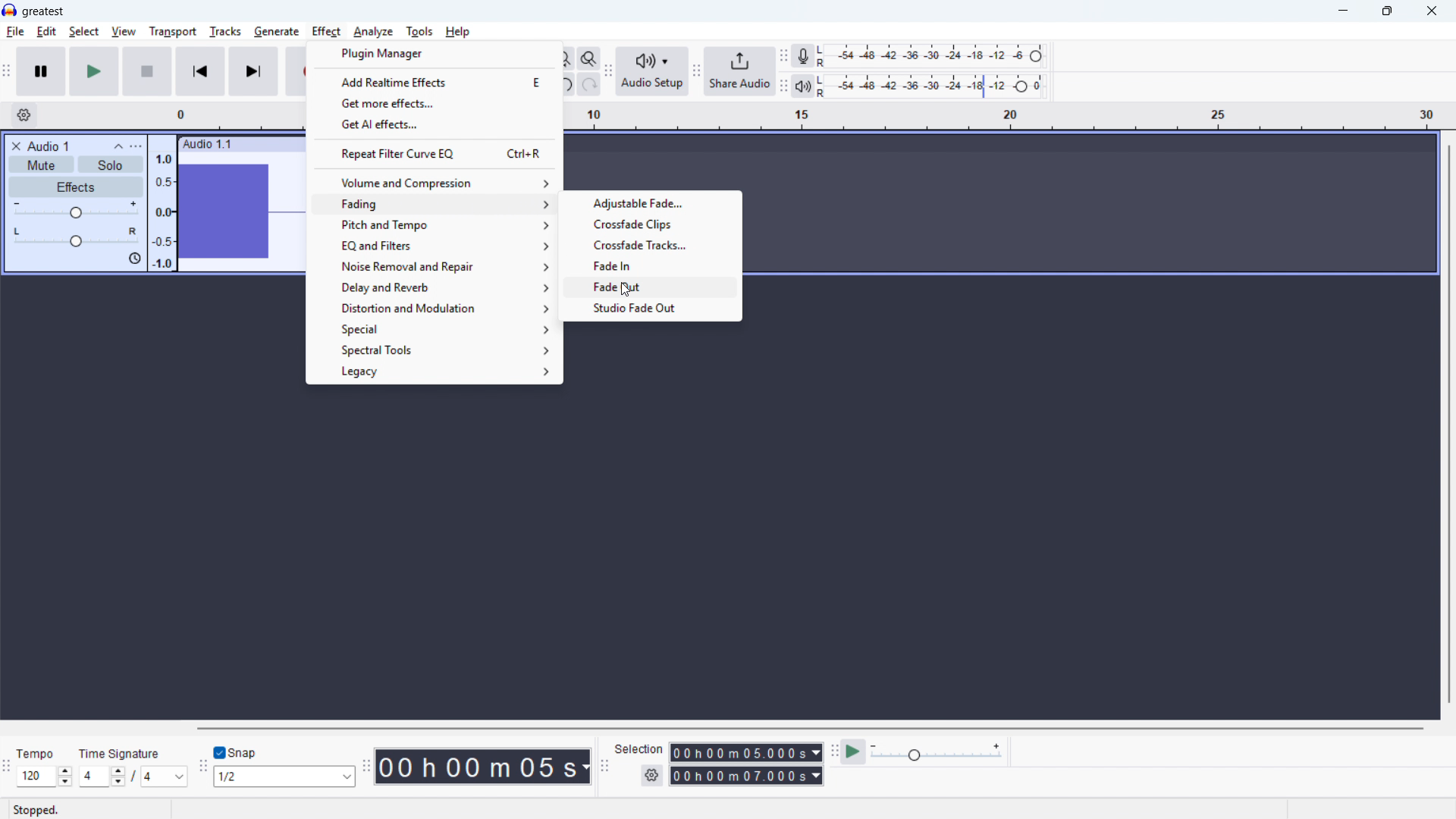 The width and height of the screenshot is (1456, 819). Describe the element at coordinates (24, 115) in the screenshot. I see `Timeline settings ` at that location.